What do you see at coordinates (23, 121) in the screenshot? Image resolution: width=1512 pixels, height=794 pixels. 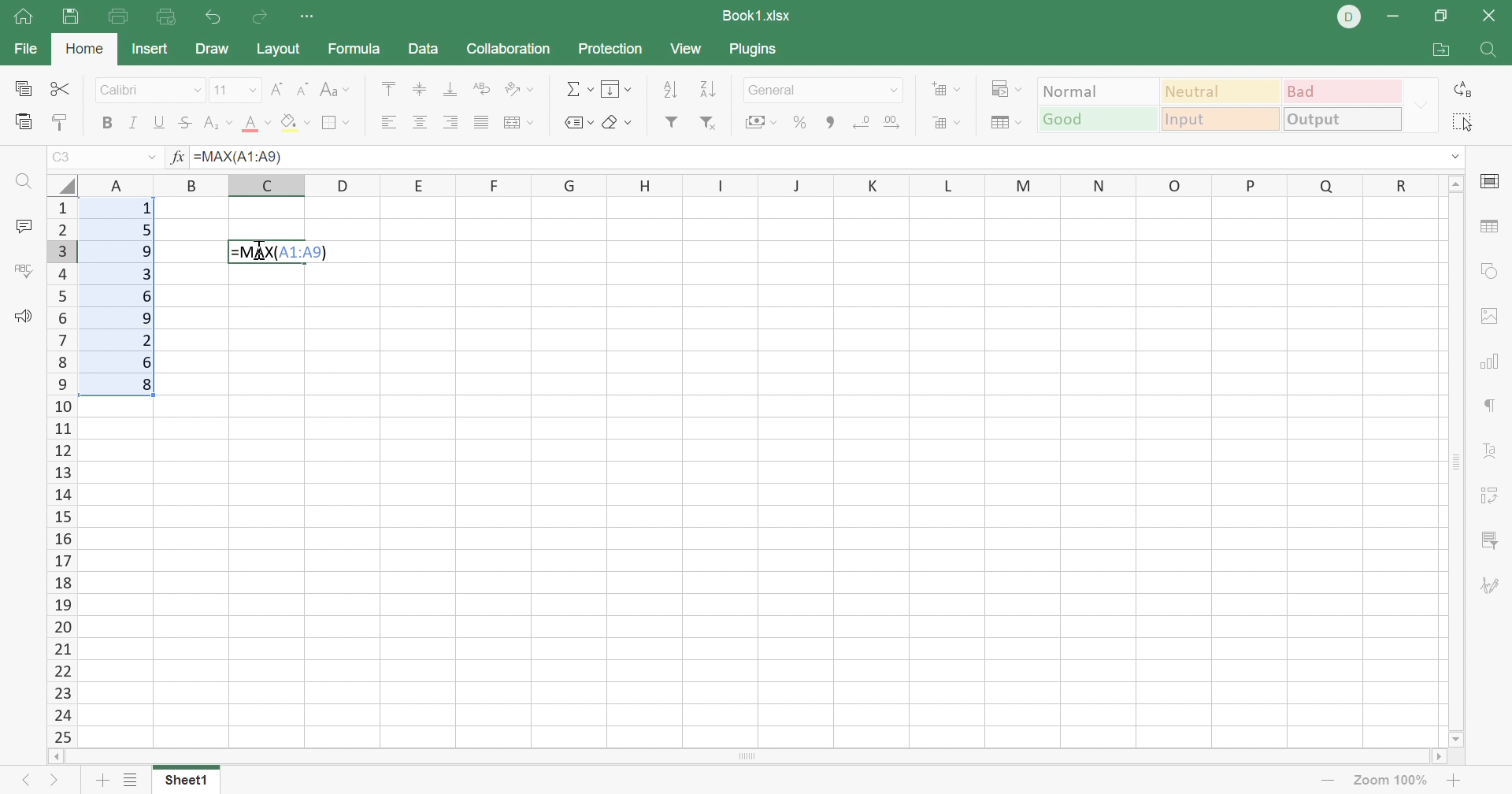 I see `Paste` at bounding box center [23, 121].